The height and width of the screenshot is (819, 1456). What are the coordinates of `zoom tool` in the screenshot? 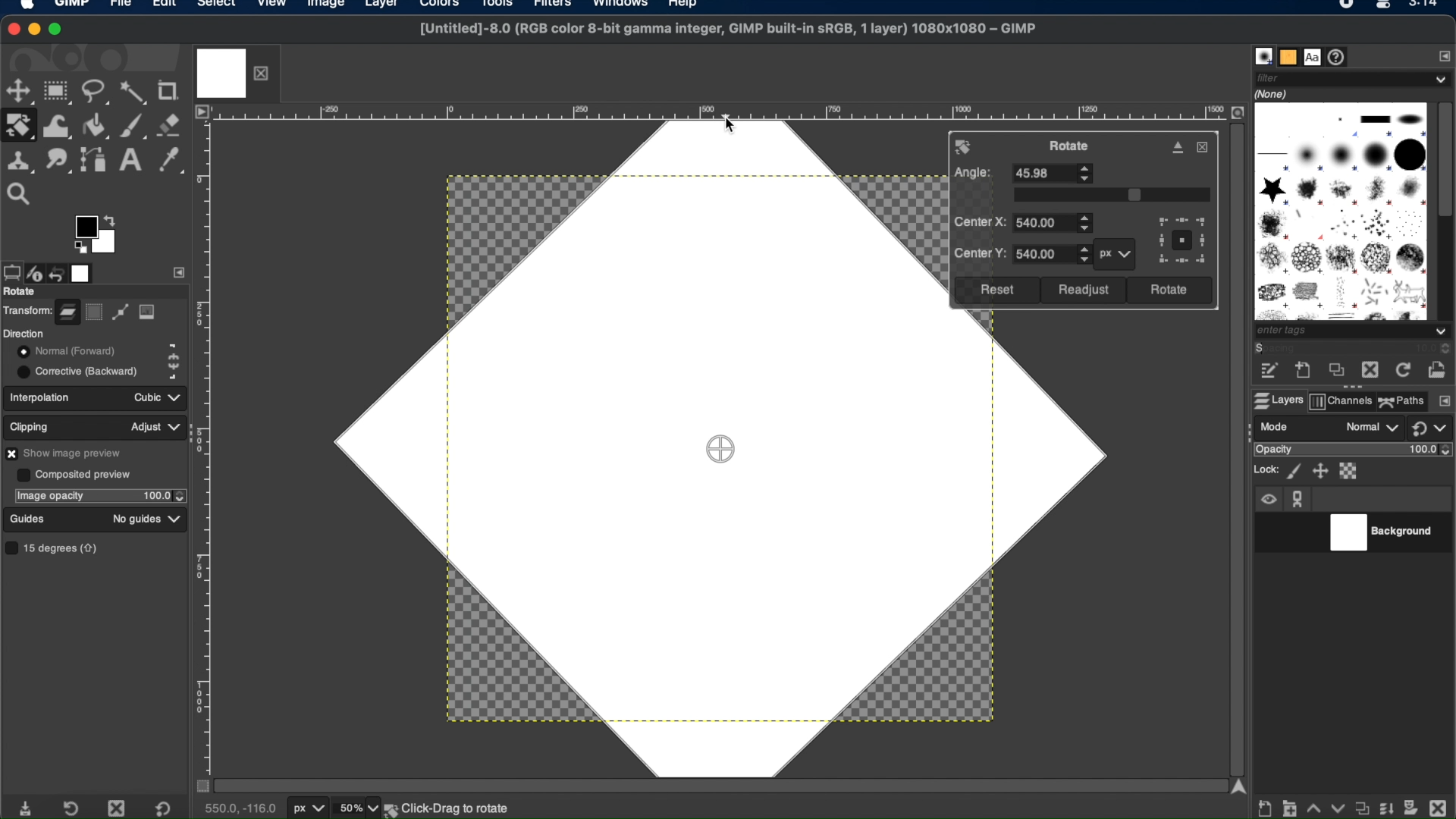 It's located at (24, 192).